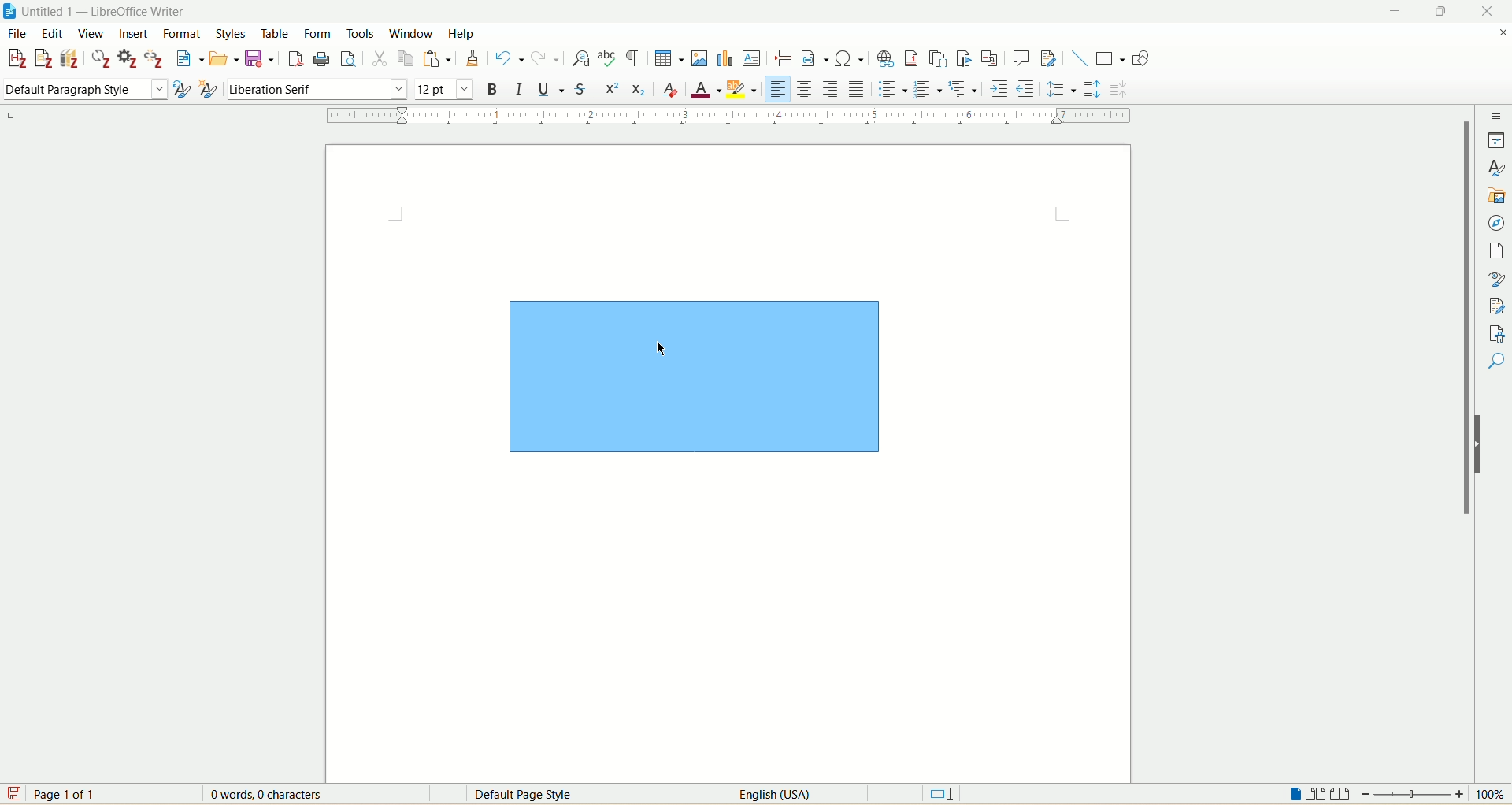  Describe the element at coordinates (710, 89) in the screenshot. I see `font color` at that location.